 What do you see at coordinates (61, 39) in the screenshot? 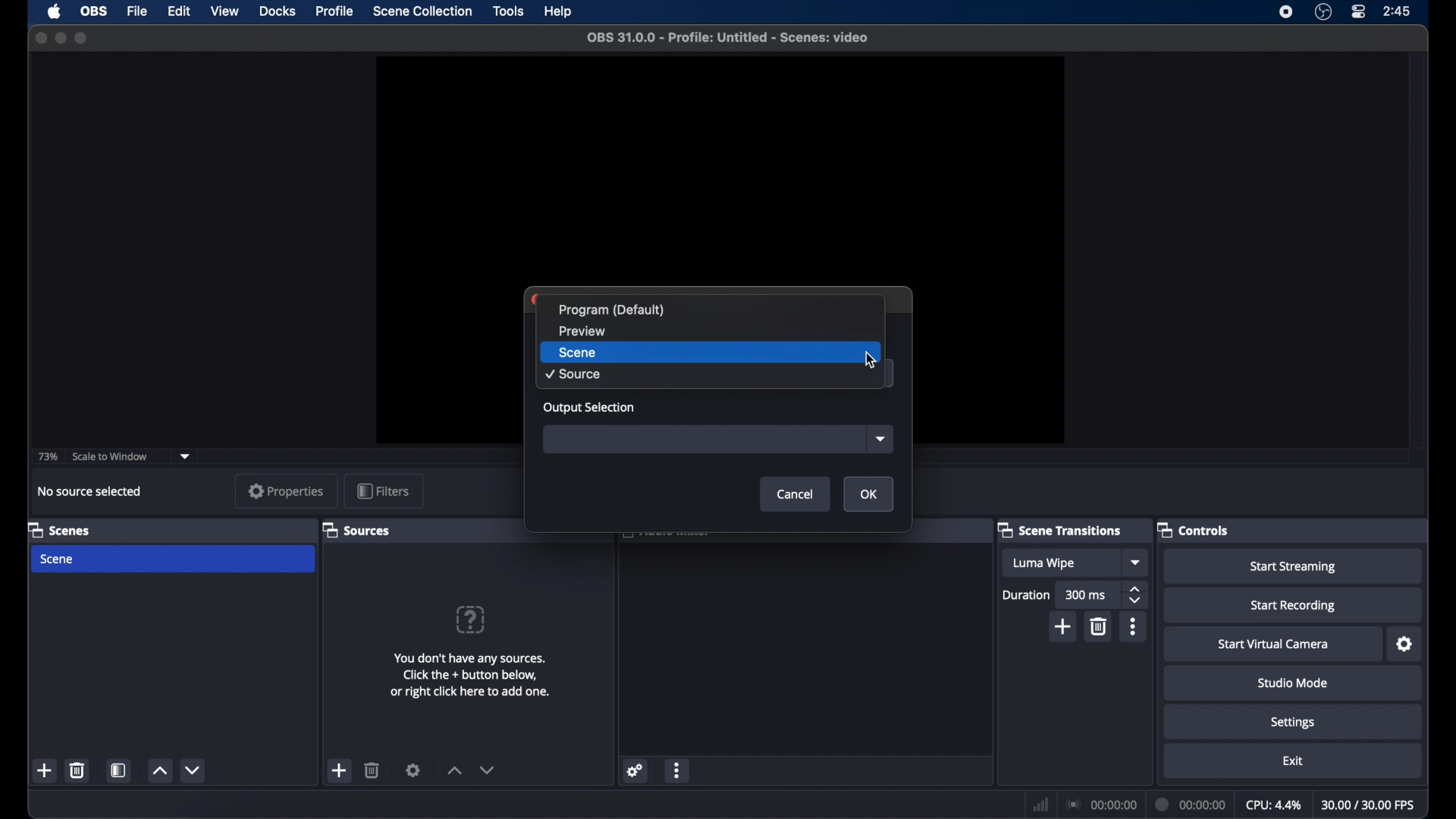
I see `minimize` at bounding box center [61, 39].